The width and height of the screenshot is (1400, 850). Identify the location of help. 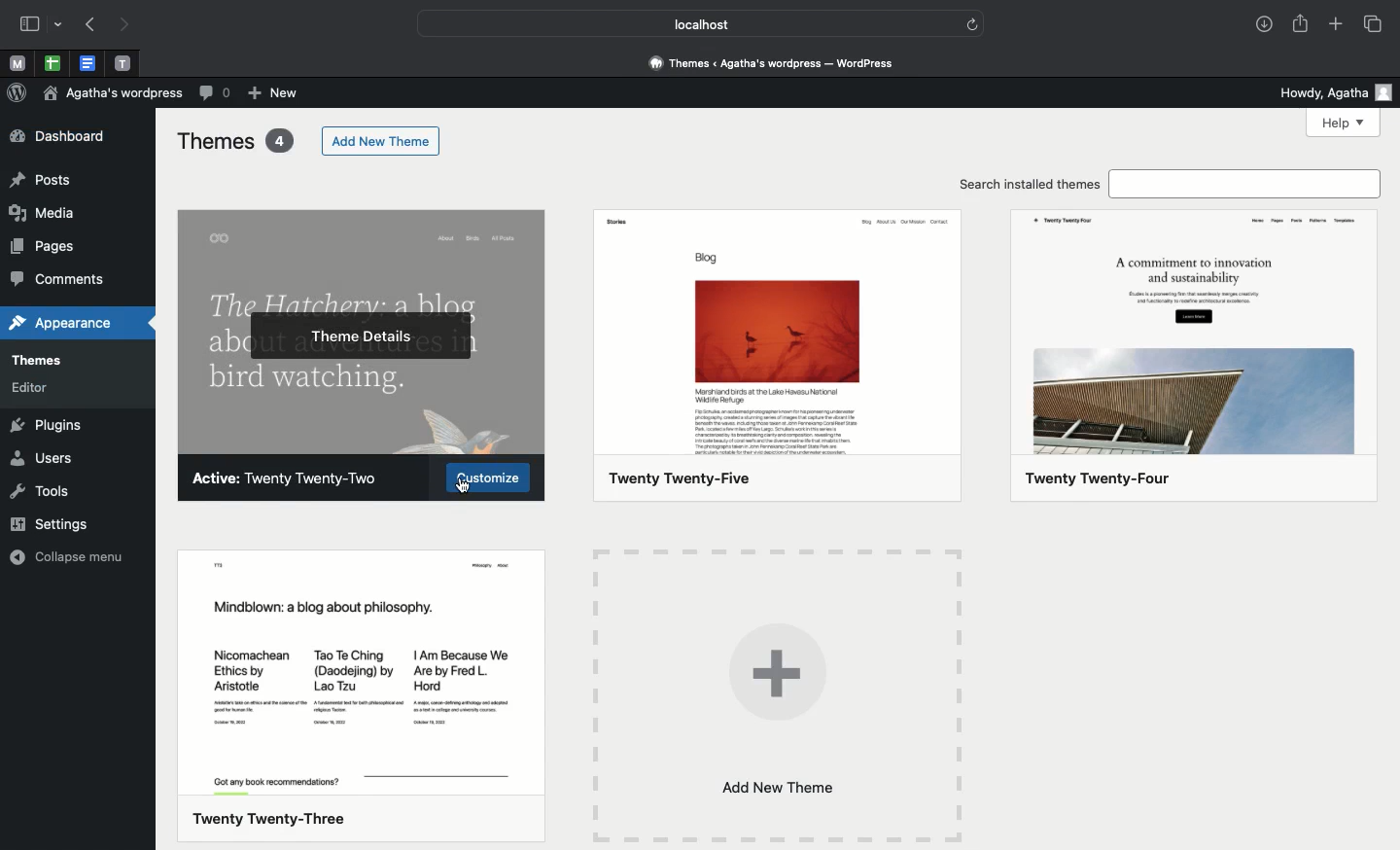
(1343, 122).